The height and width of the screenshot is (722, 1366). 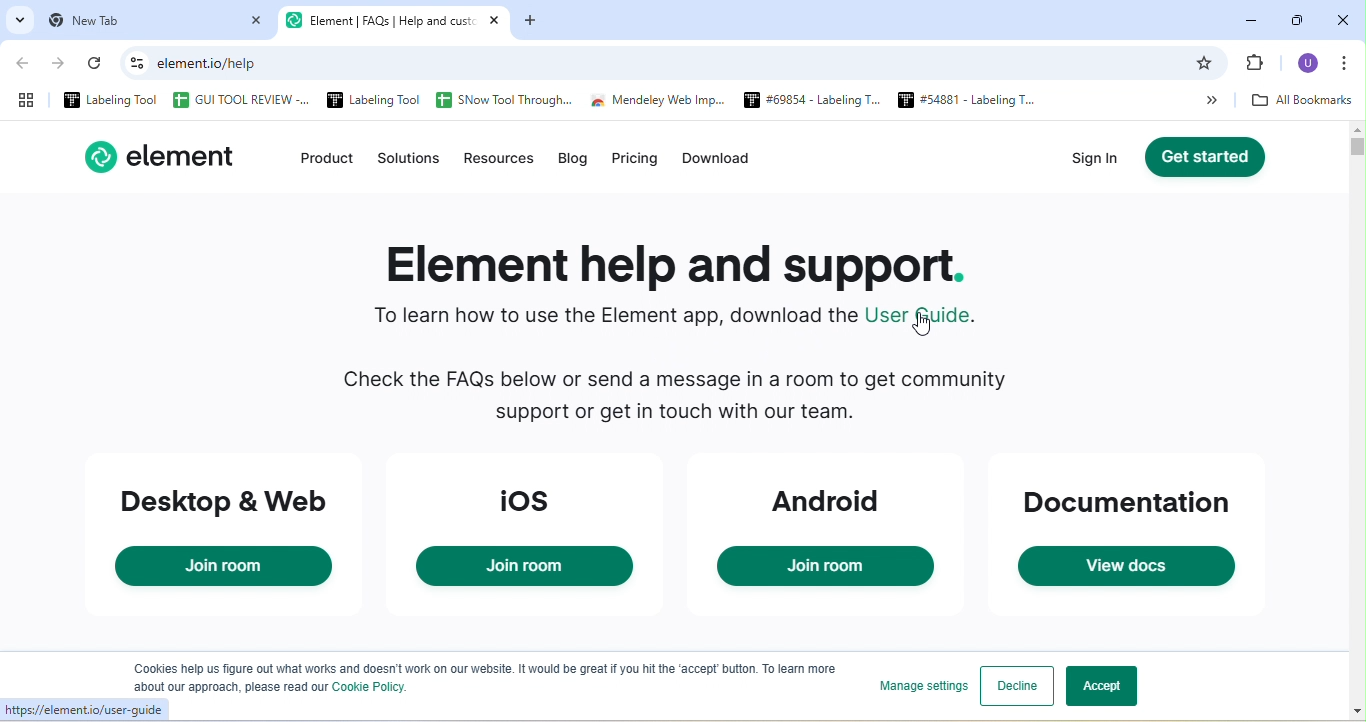 I want to click on desktop and web, so click(x=217, y=503).